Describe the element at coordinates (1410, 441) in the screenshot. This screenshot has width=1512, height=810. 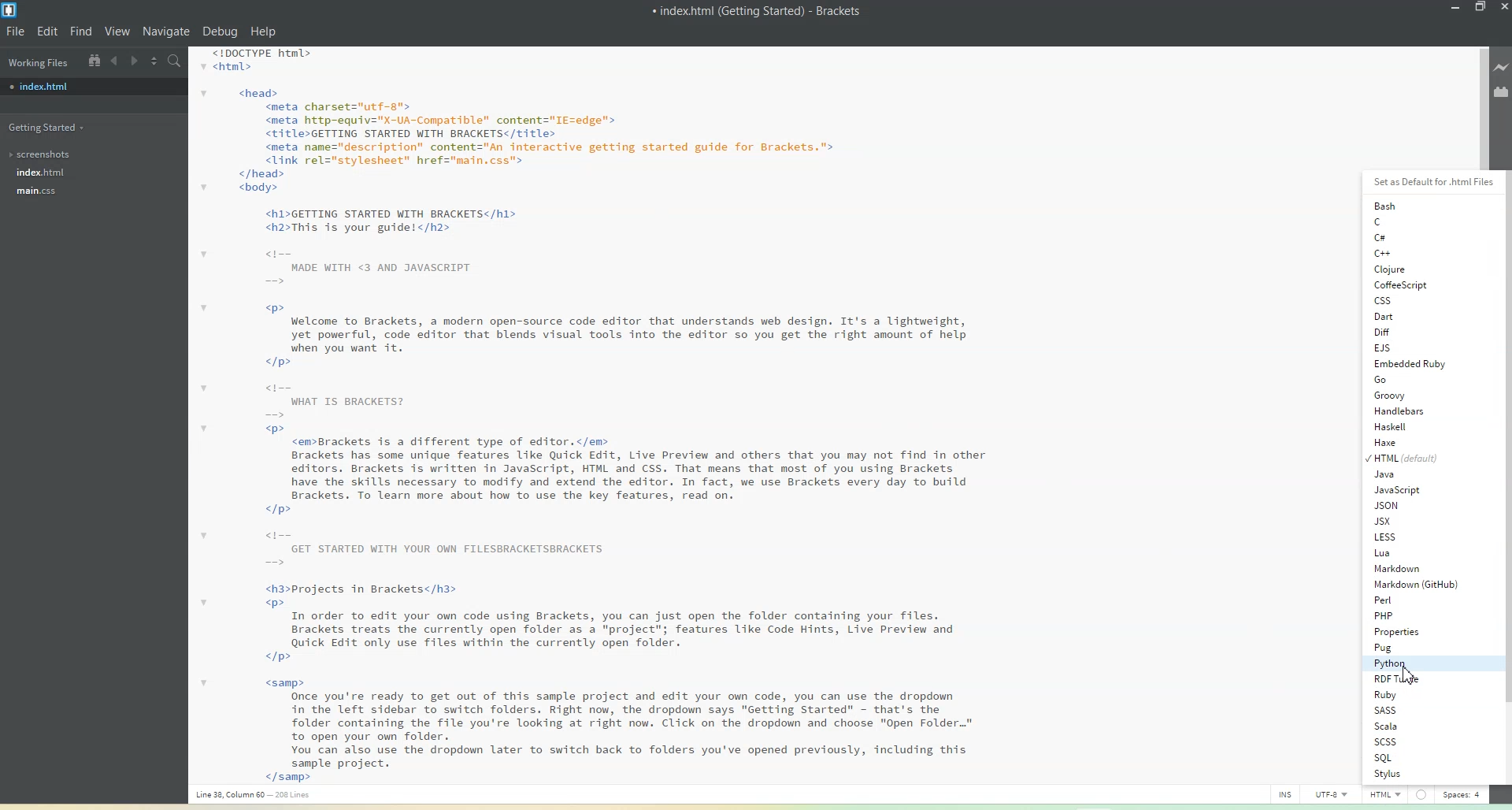
I see `Haxe` at that location.